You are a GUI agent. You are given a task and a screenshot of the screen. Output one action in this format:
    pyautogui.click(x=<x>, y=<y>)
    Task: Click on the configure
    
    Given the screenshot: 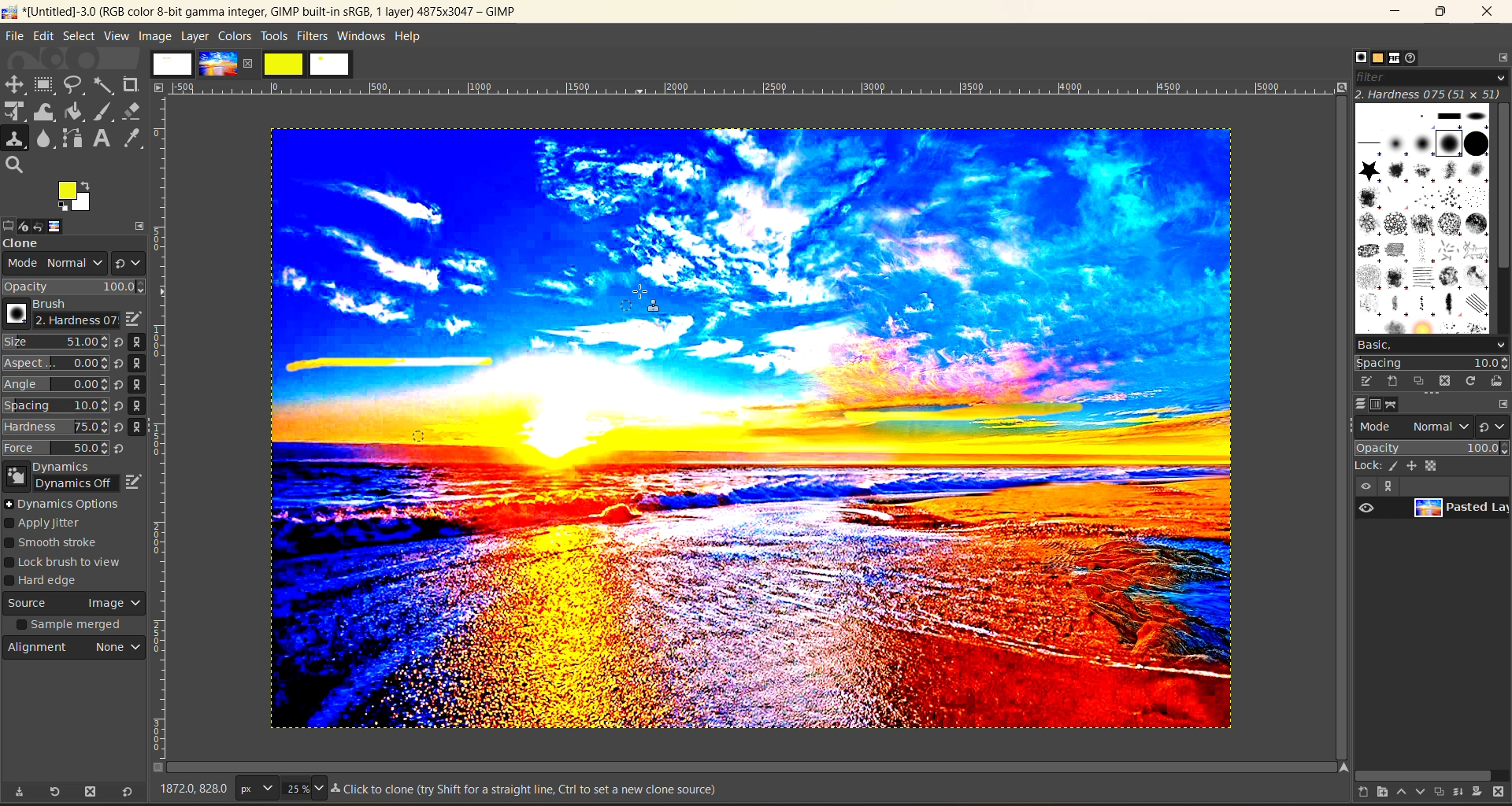 What is the action you would take?
    pyautogui.click(x=1499, y=57)
    